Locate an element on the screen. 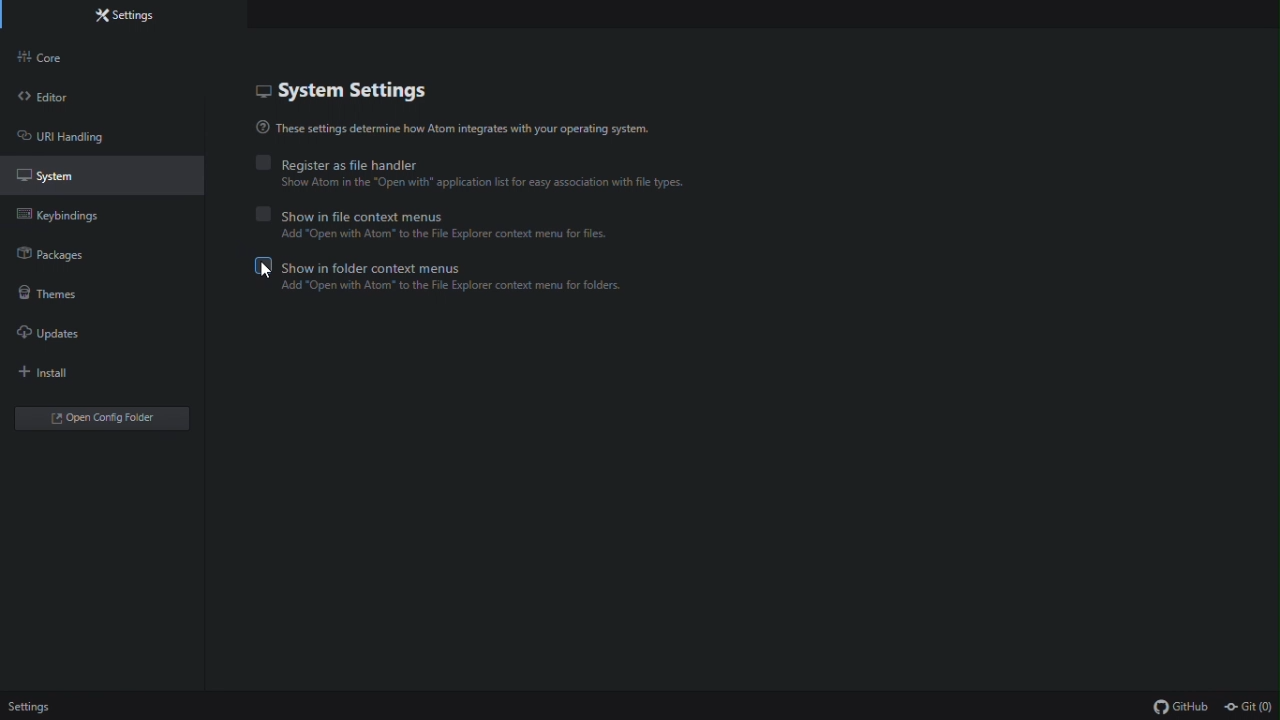  Git is located at coordinates (1250, 707).